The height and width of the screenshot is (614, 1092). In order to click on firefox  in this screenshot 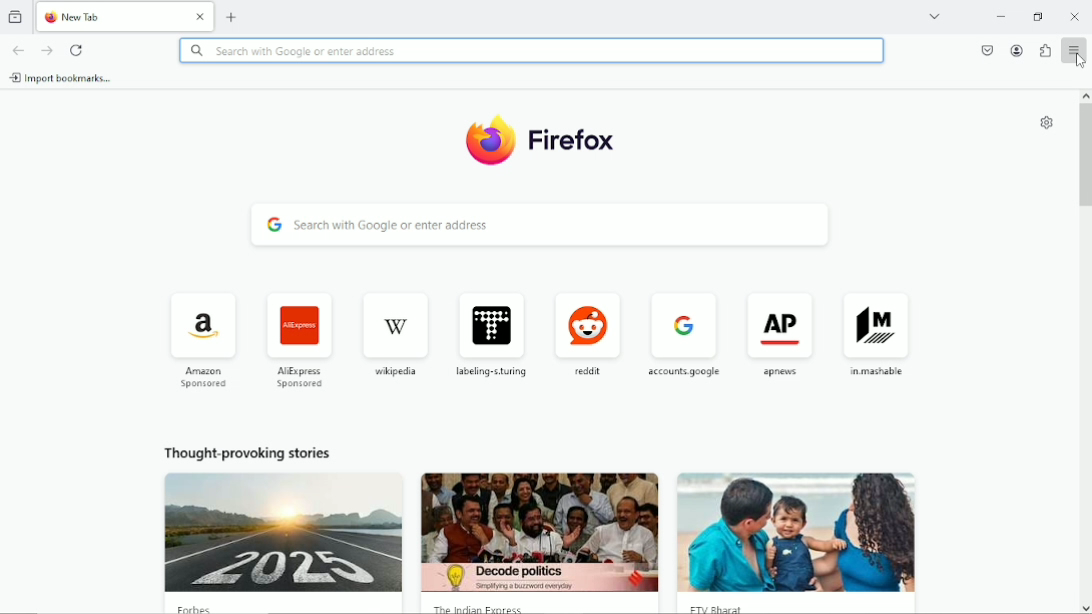, I will do `click(580, 144)`.